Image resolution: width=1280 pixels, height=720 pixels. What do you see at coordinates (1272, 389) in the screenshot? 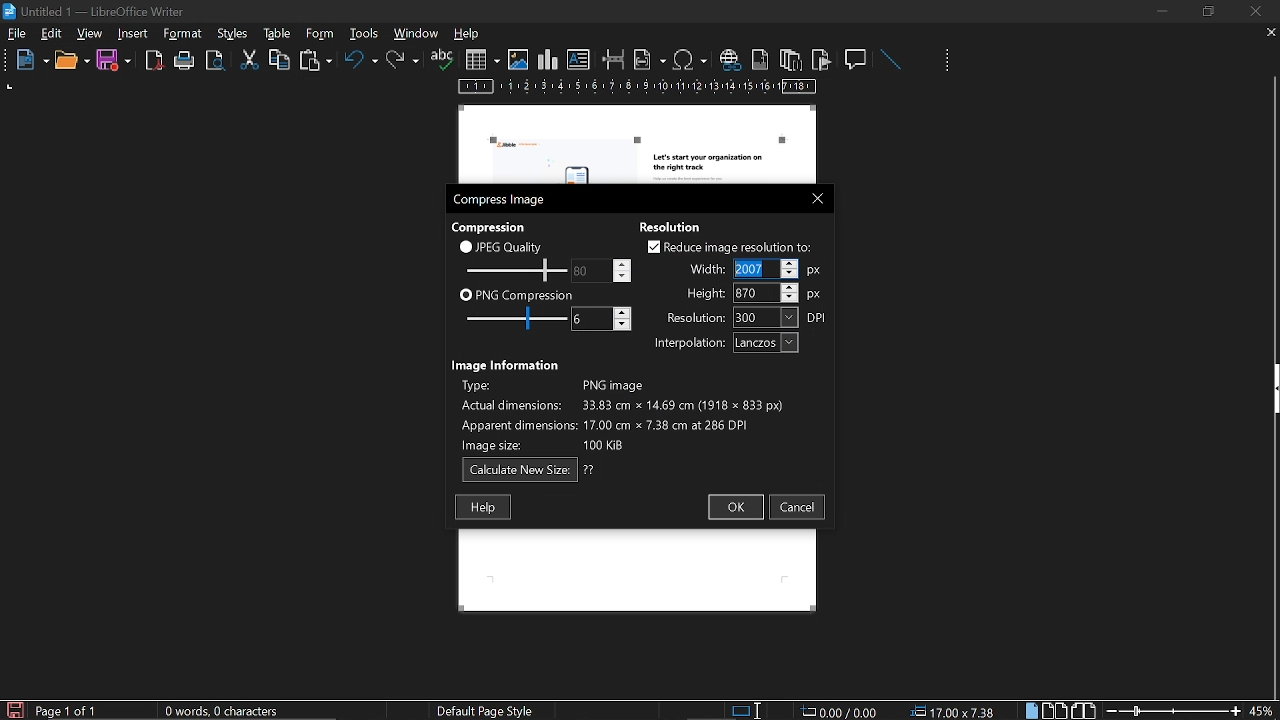
I see `side bar menu` at bounding box center [1272, 389].